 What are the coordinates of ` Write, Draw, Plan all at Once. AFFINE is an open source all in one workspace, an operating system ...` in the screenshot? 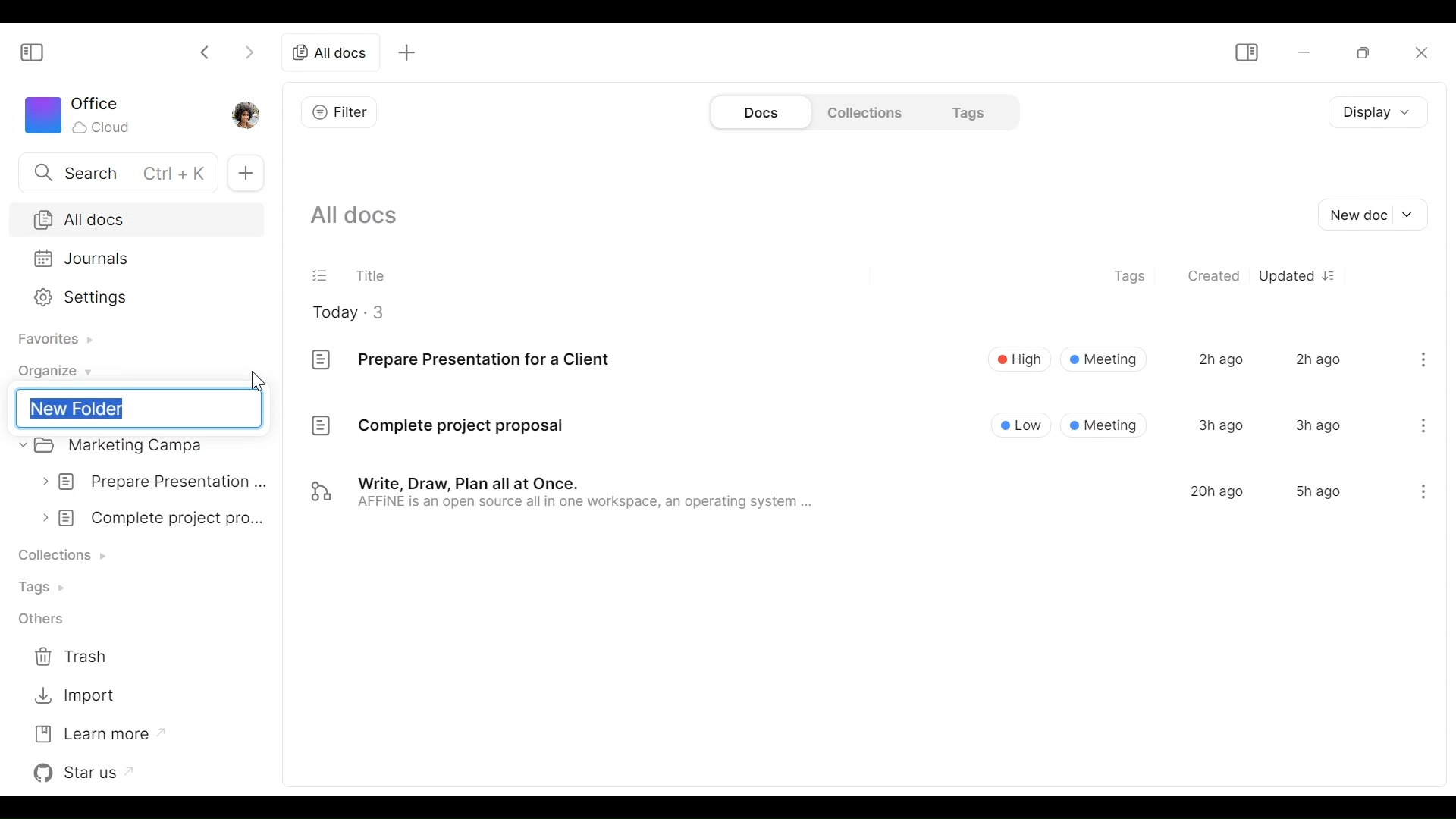 It's located at (563, 494).